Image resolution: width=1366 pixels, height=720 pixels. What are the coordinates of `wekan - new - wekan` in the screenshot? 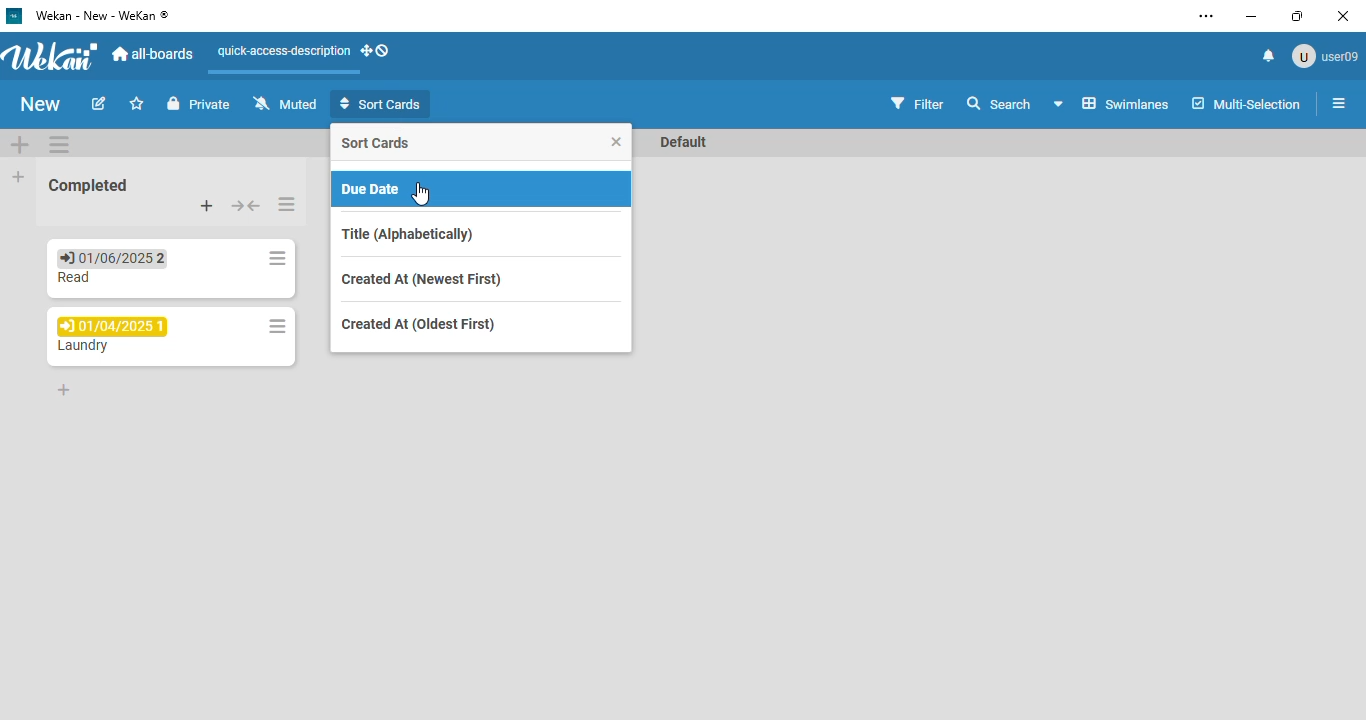 It's located at (101, 15).